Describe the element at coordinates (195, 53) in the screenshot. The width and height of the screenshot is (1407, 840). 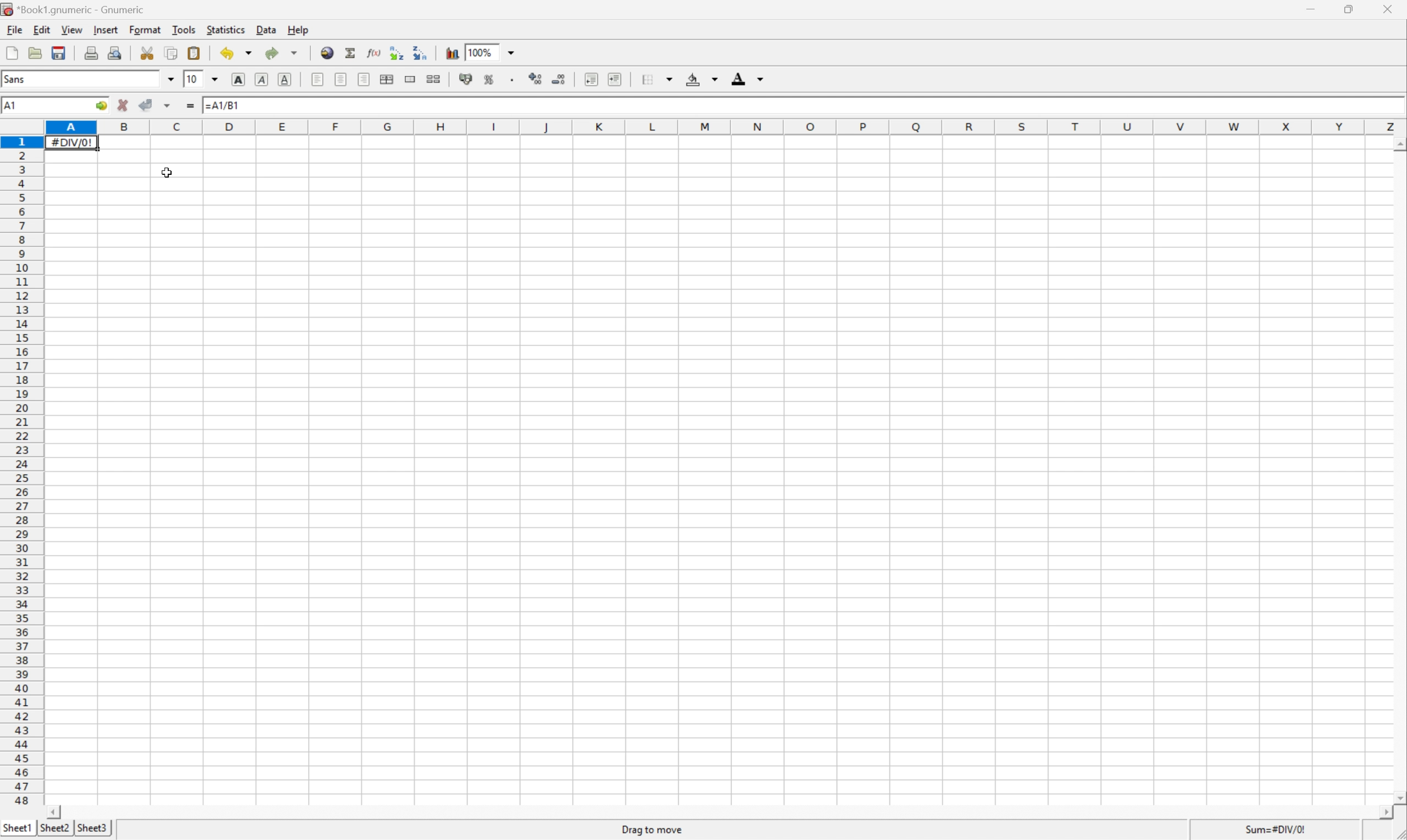
I see `Paste the clipboard` at that location.